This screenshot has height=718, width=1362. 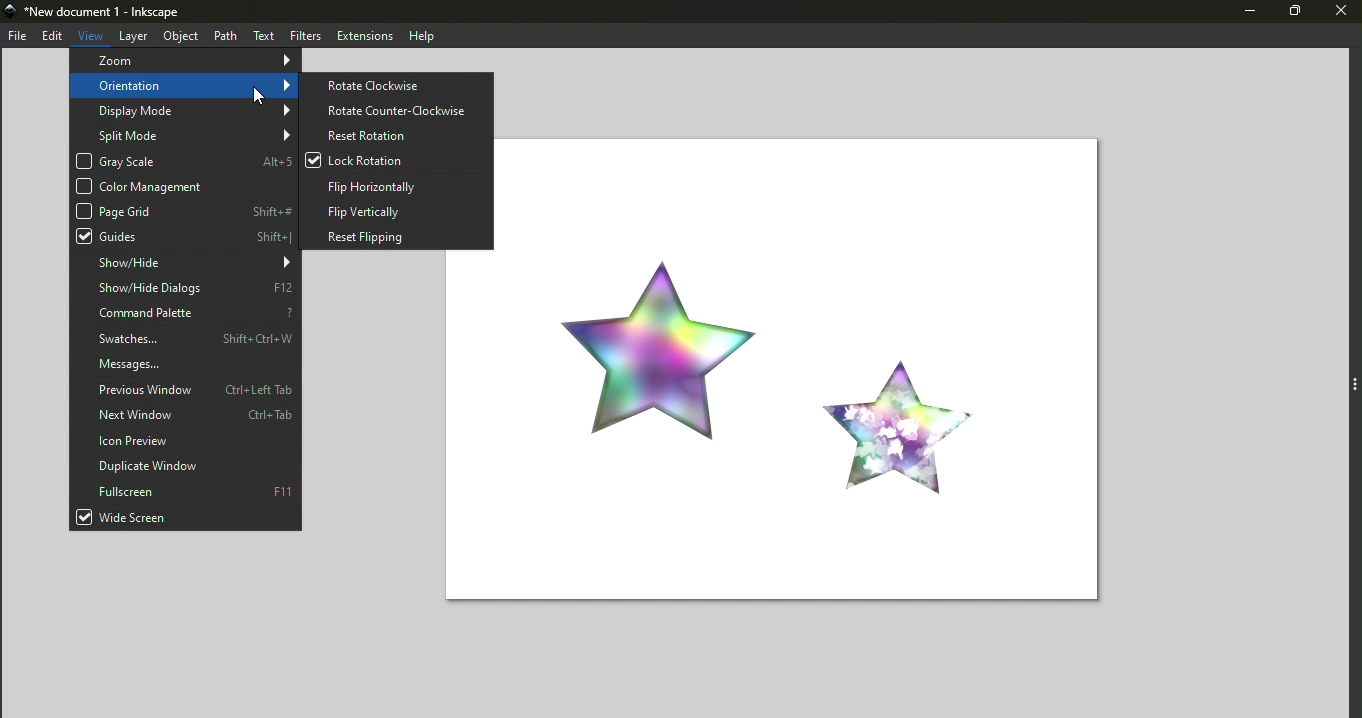 What do you see at coordinates (400, 84) in the screenshot?
I see `Rotate clockwise` at bounding box center [400, 84].